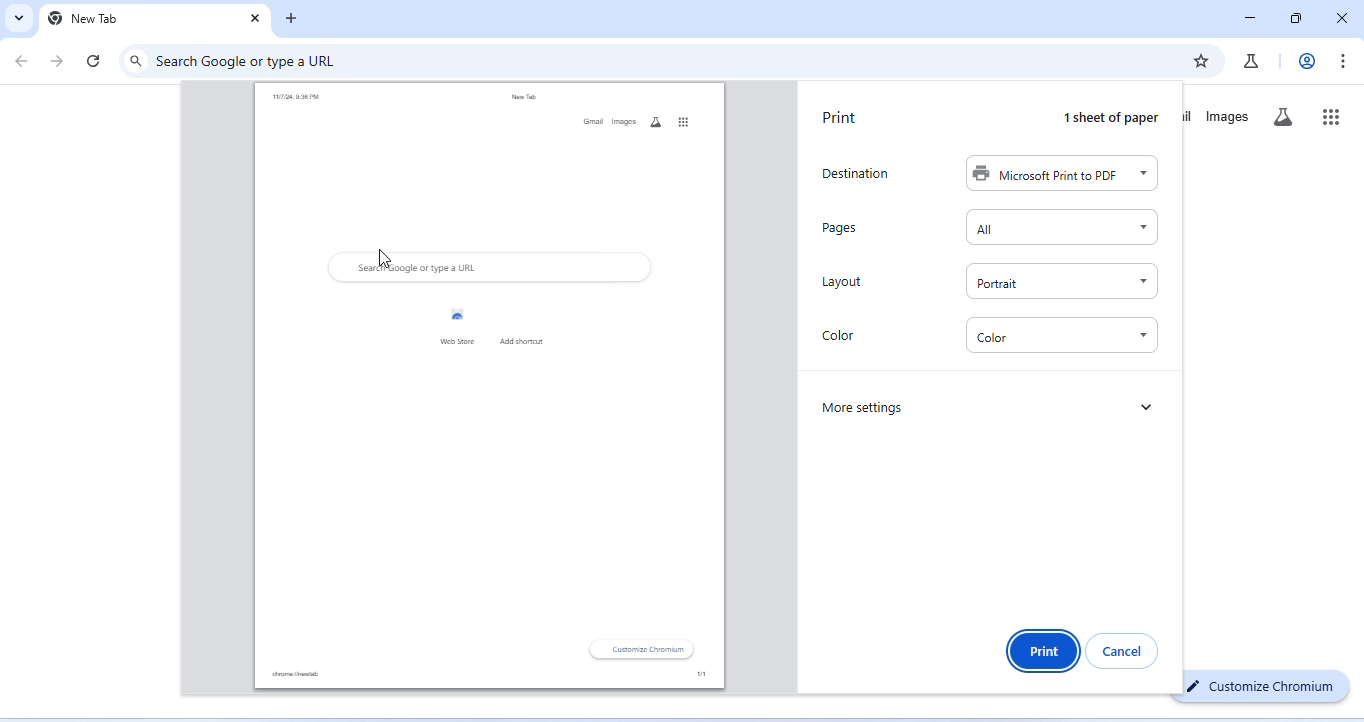  Describe the element at coordinates (250, 62) in the screenshot. I see `search google or type a URL` at that location.